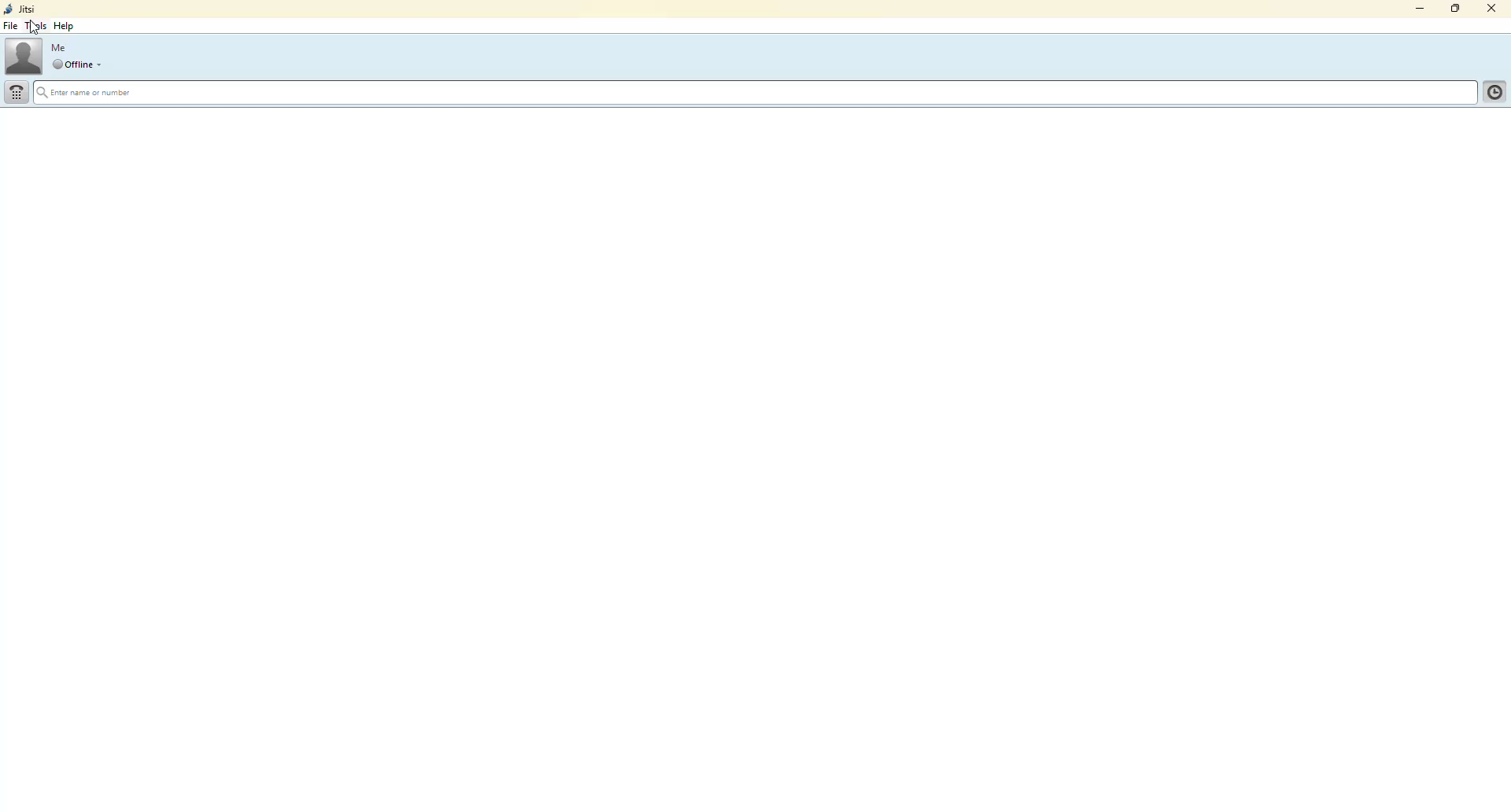 This screenshot has width=1511, height=812. Describe the element at coordinates (1491, 94) in the screenshot. I see `contact list` at that location.